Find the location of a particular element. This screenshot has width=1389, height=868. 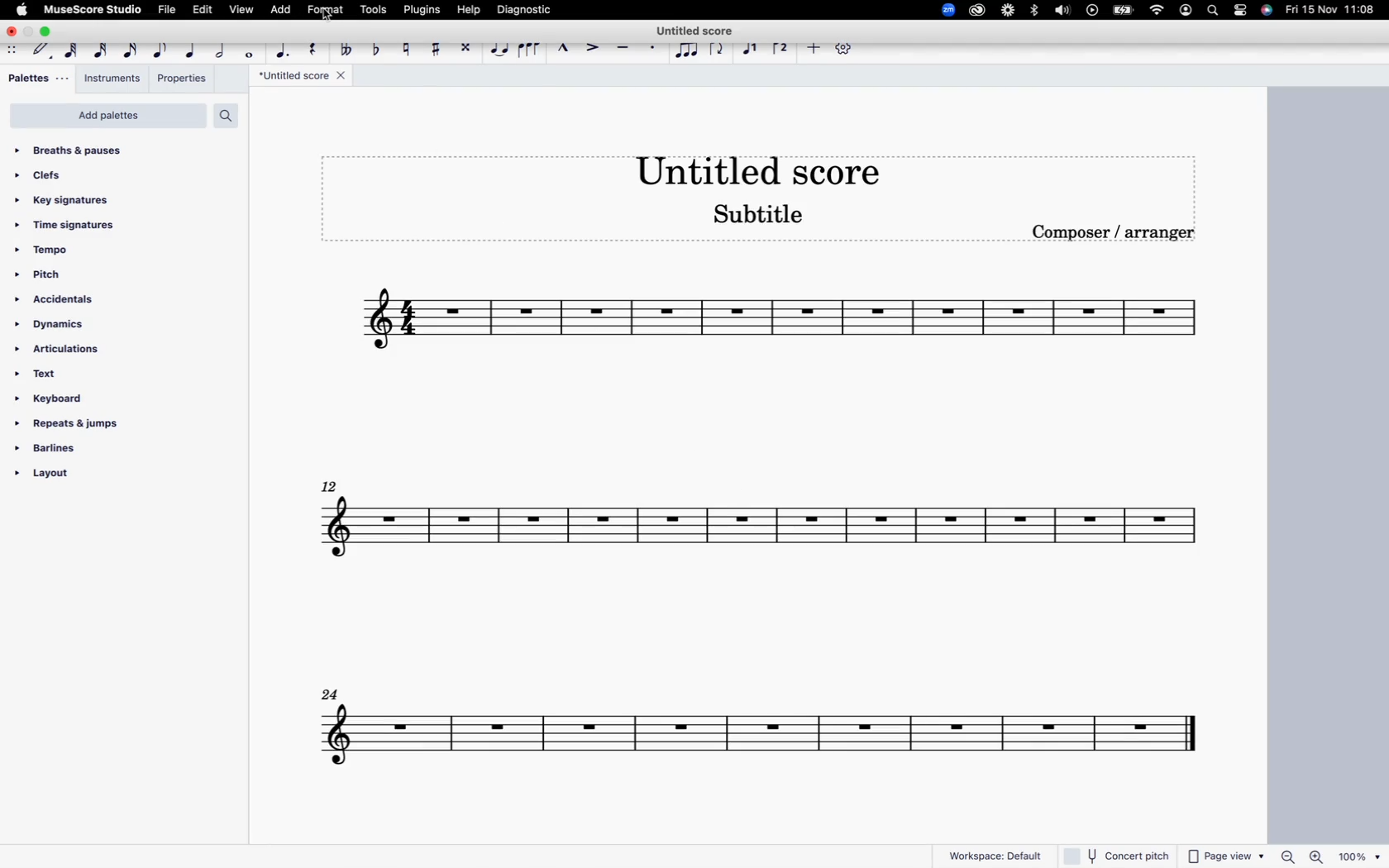

layout is located at coordinates (46, 475).